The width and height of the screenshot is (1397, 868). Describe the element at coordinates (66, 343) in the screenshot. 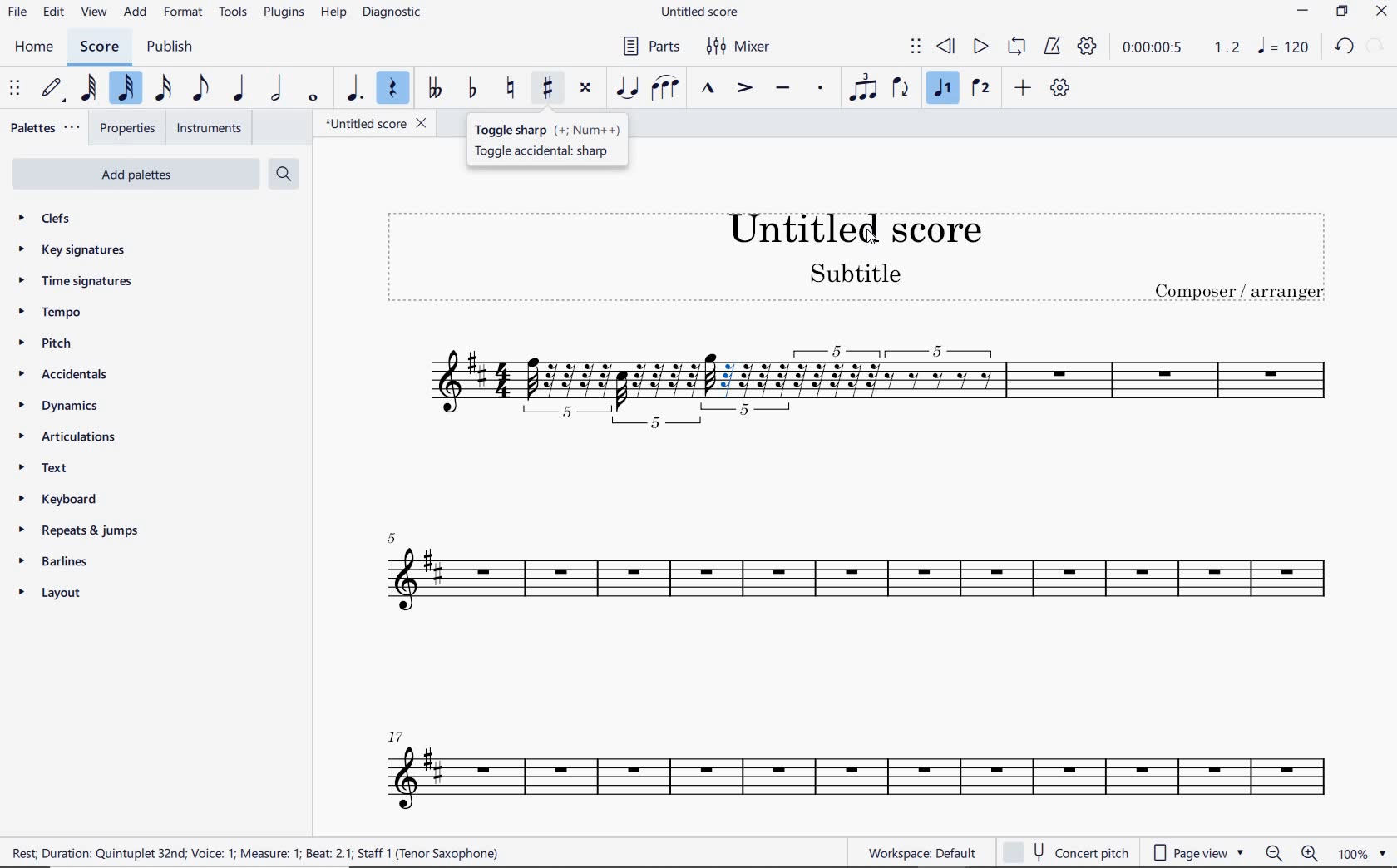

I see `PITCH` at that location.